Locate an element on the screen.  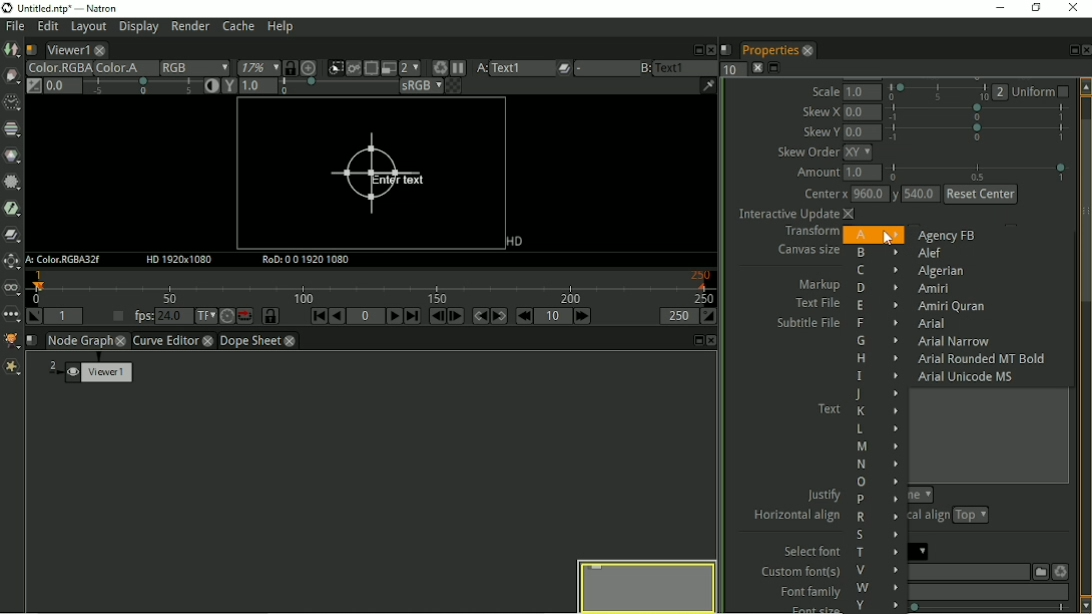
Vertical scrollbar is located at coordinates (1085, 345).